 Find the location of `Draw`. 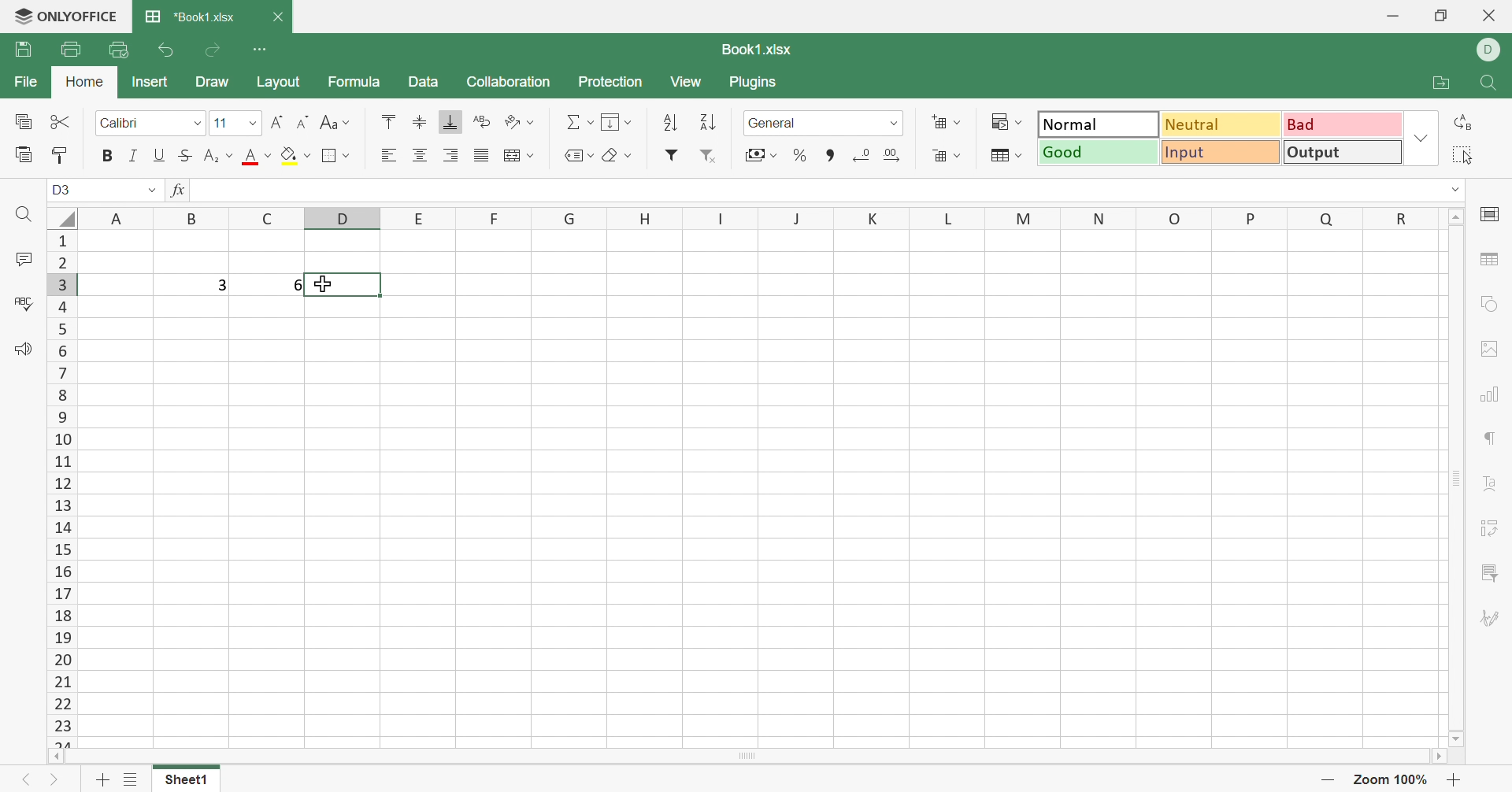

Draw is located at coordinates (212, 80).